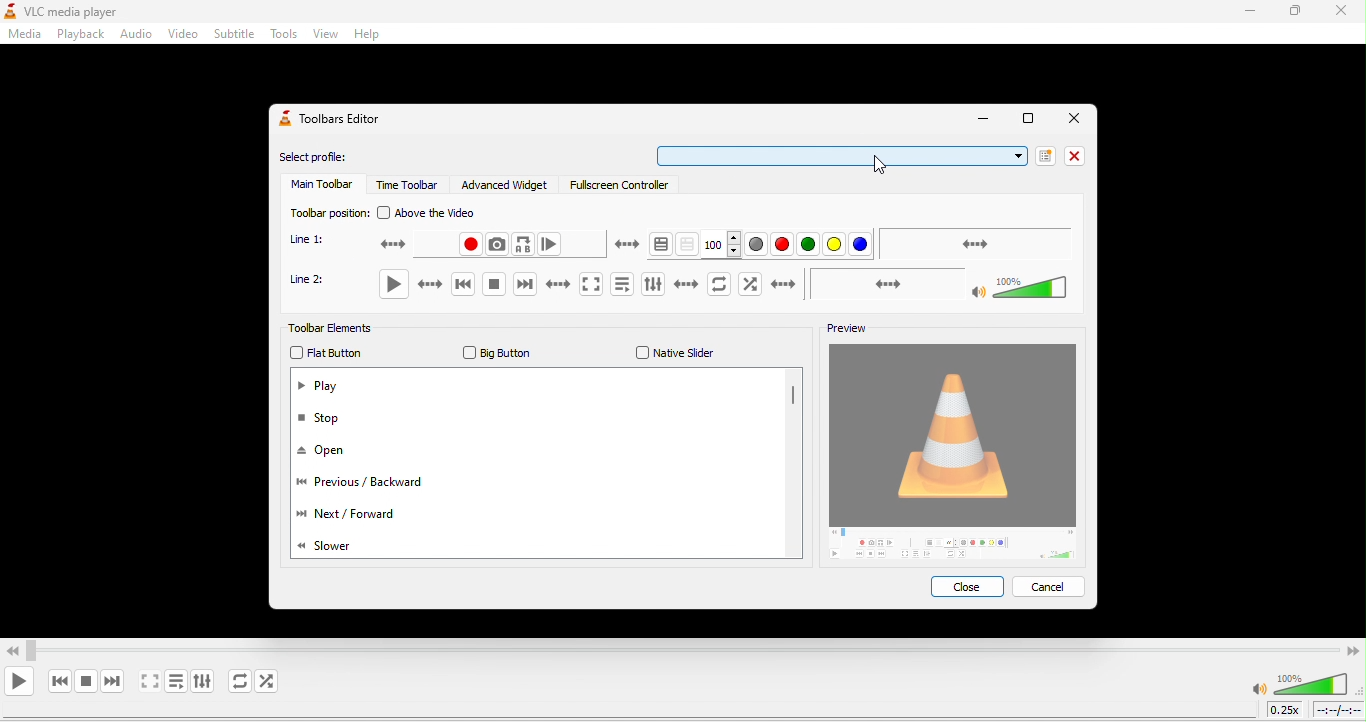  What do you see at coordinates (78, 35) in the screenshot?
I see `playback` at bounding box center [78, 35].